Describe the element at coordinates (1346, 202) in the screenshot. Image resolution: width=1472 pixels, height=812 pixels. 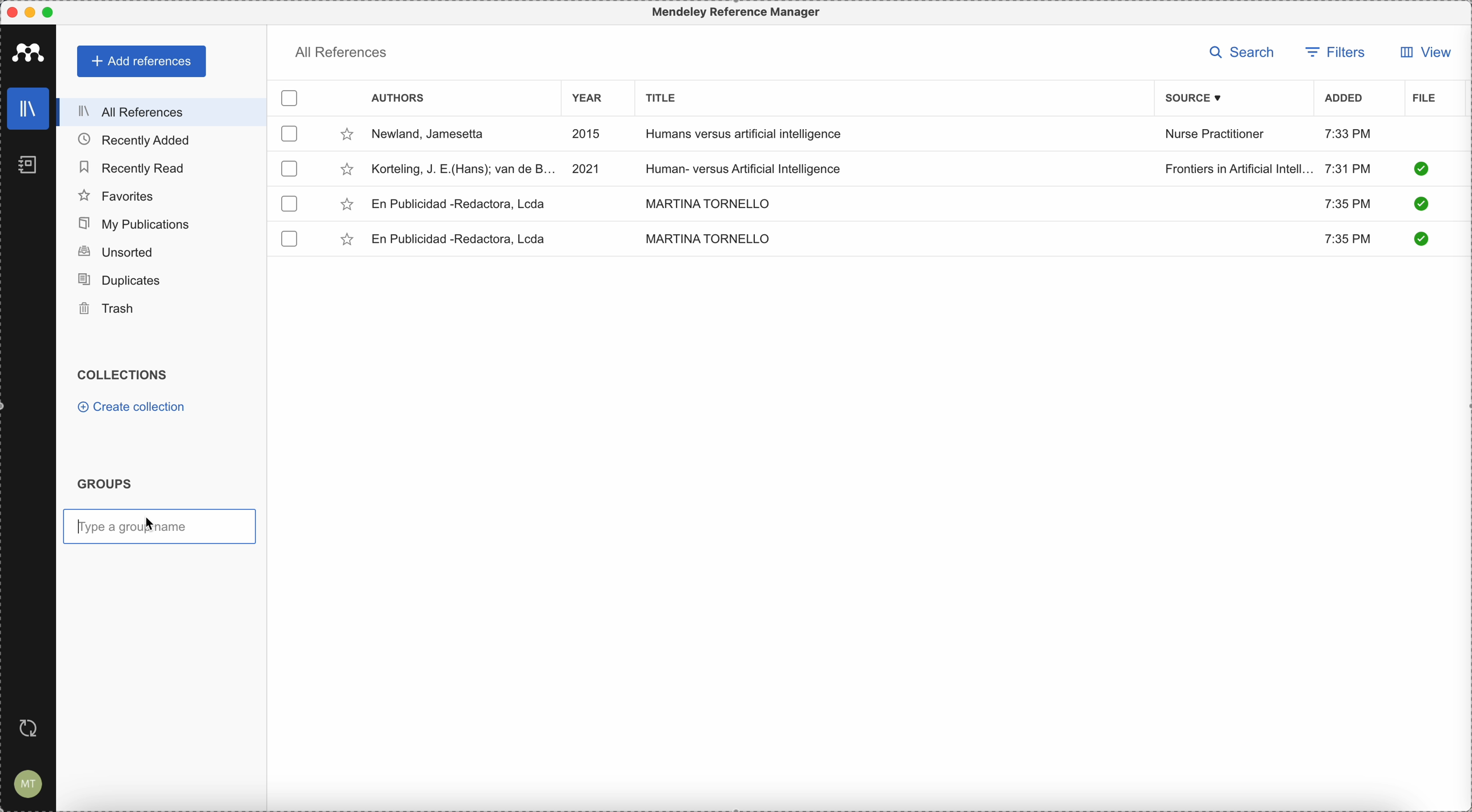
I see `7:35 PM` at that location.